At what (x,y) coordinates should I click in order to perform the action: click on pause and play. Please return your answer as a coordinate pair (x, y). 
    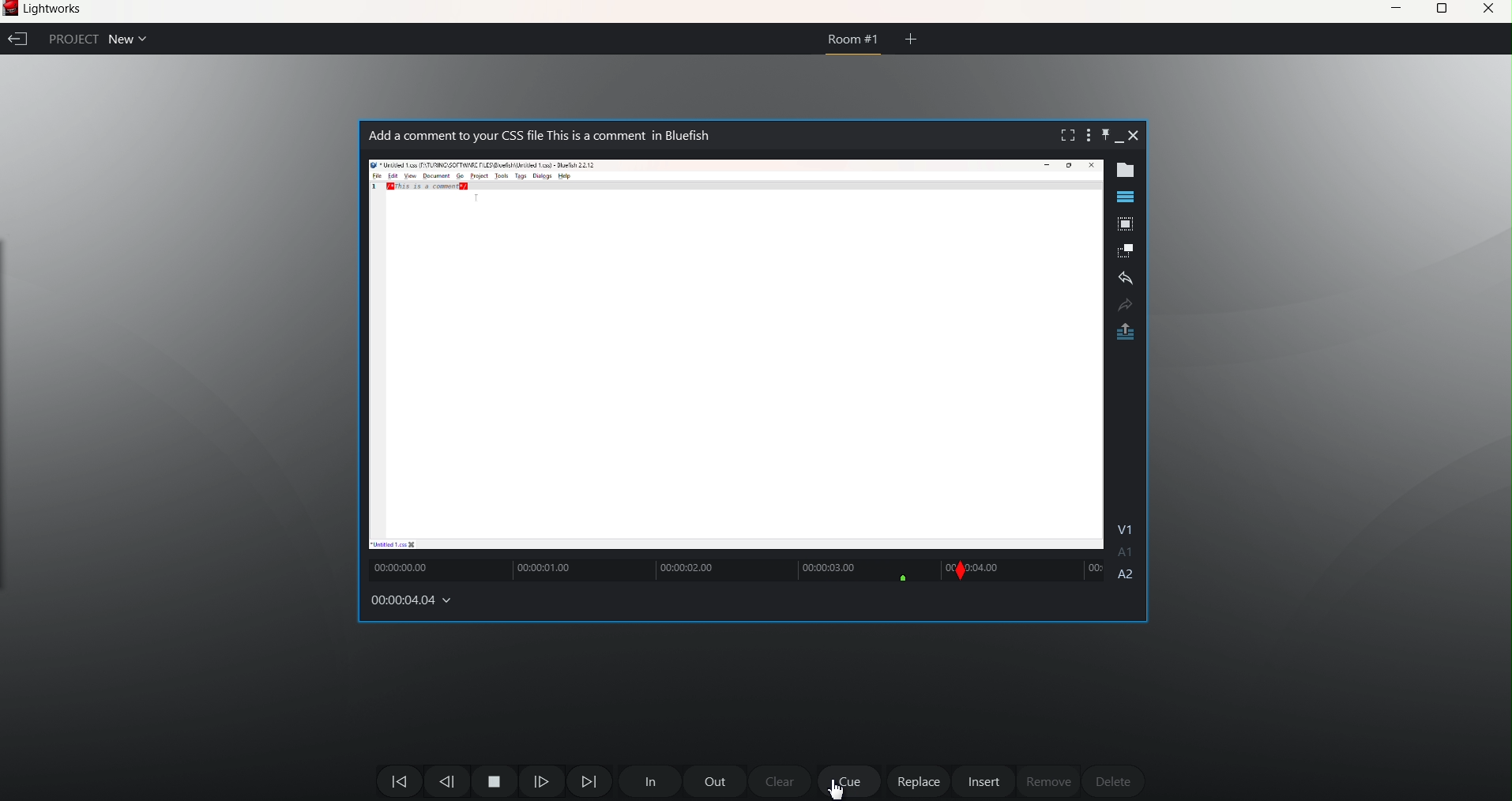
    Looking at the image, I should click on (494, 781).